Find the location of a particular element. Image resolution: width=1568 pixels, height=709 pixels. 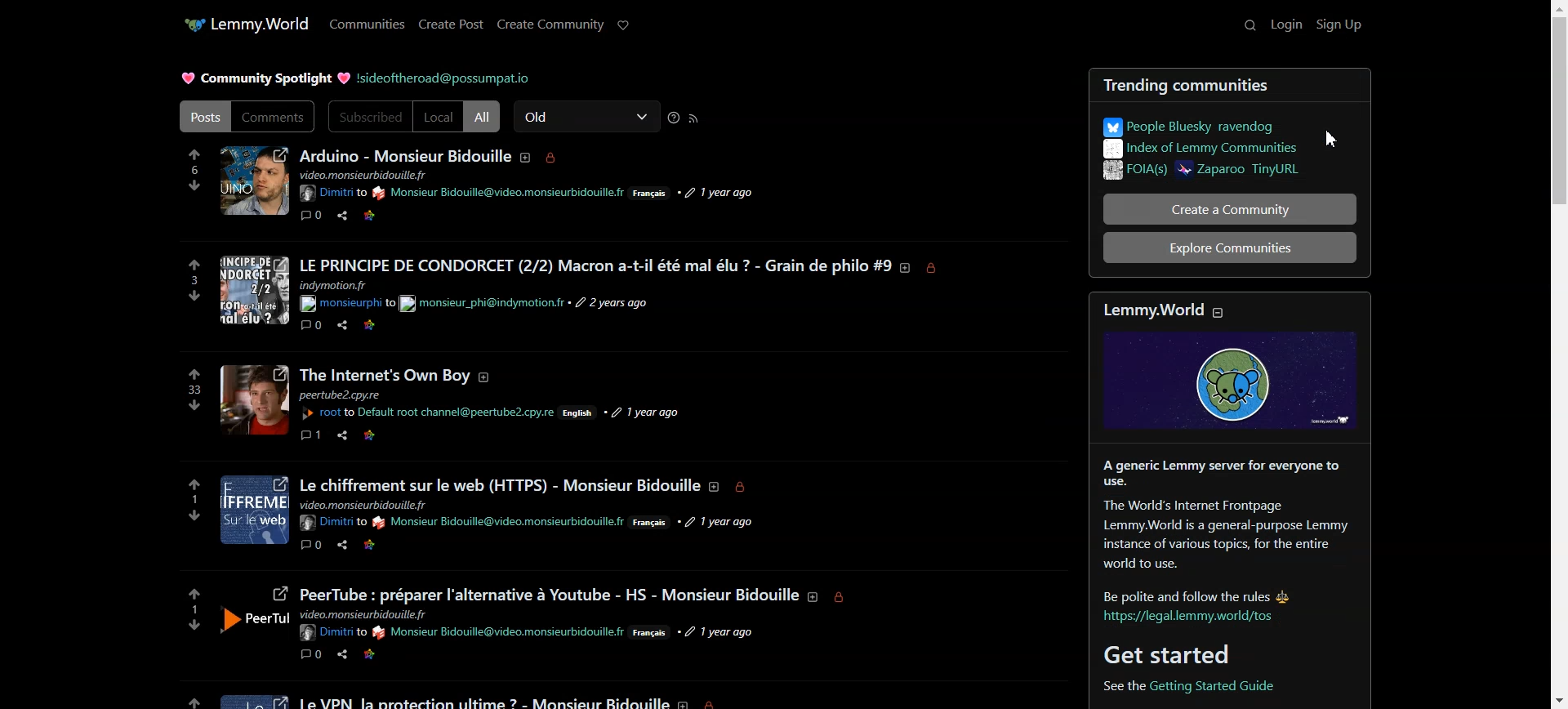

text is located at coordinates (483, 699).